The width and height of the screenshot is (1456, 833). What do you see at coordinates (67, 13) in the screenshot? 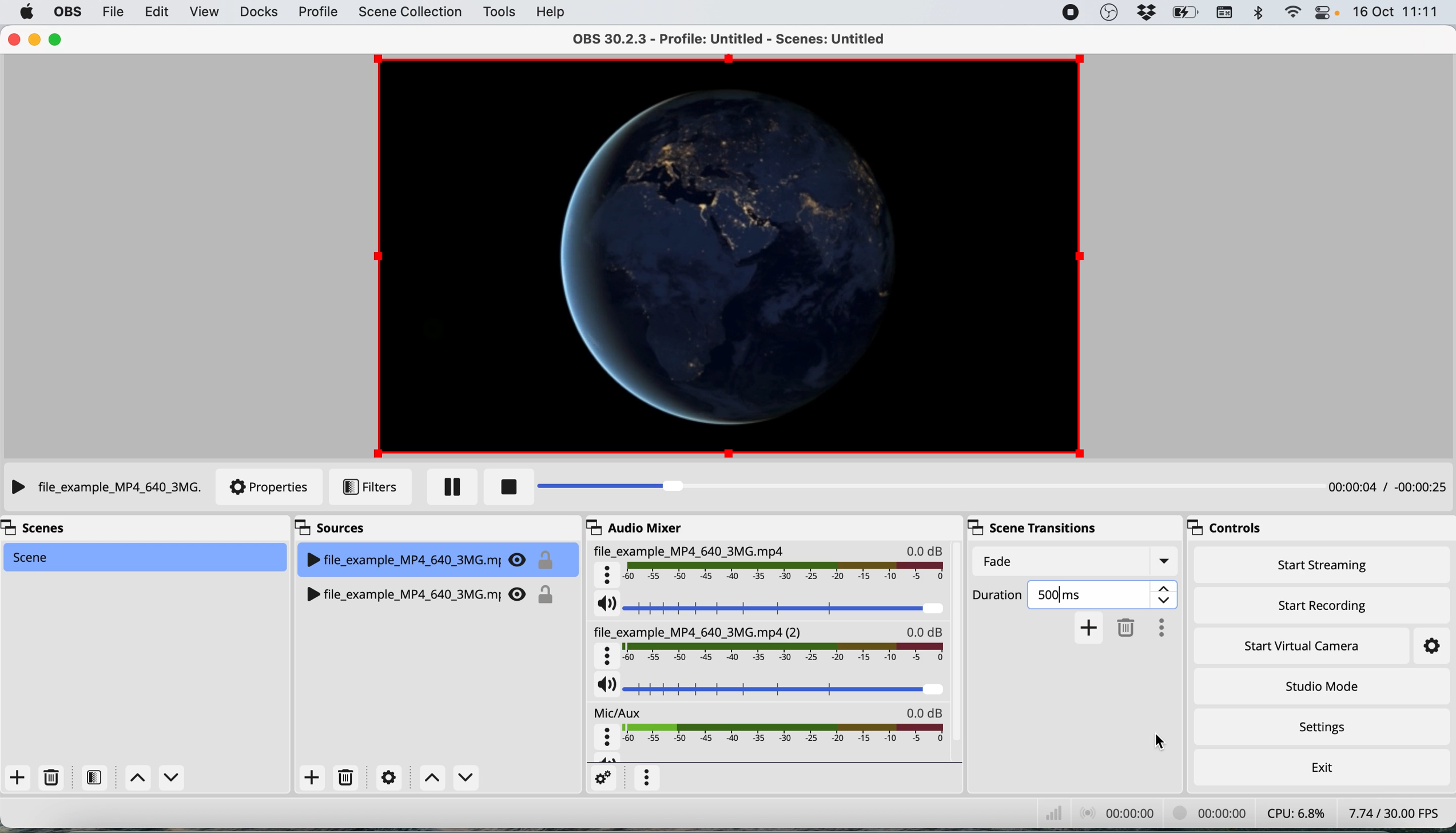
I see `obs` at bounding box center [67, 13].